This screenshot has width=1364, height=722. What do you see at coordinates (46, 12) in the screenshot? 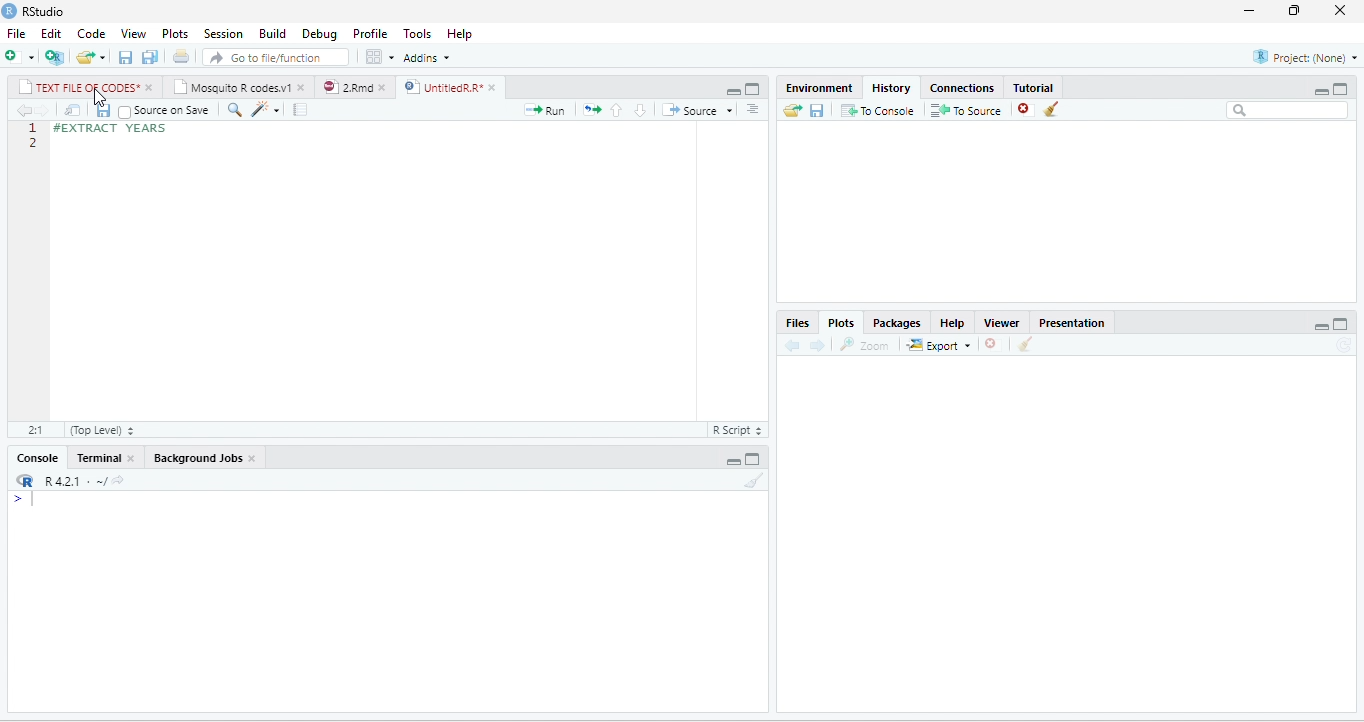
I see `RStudio` at bounding box center [46, 12].